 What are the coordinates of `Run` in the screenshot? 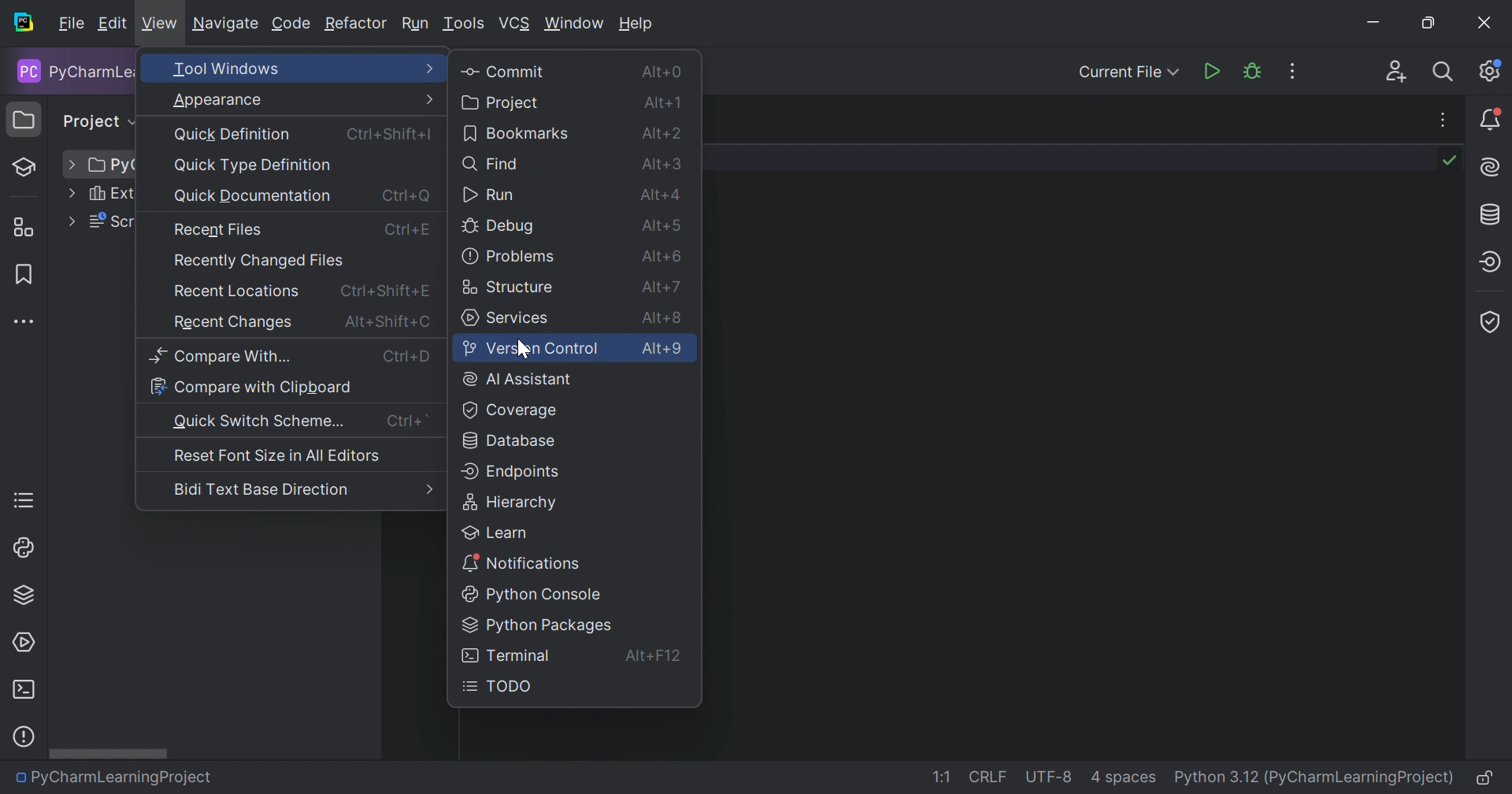 It's located at (417, 24).